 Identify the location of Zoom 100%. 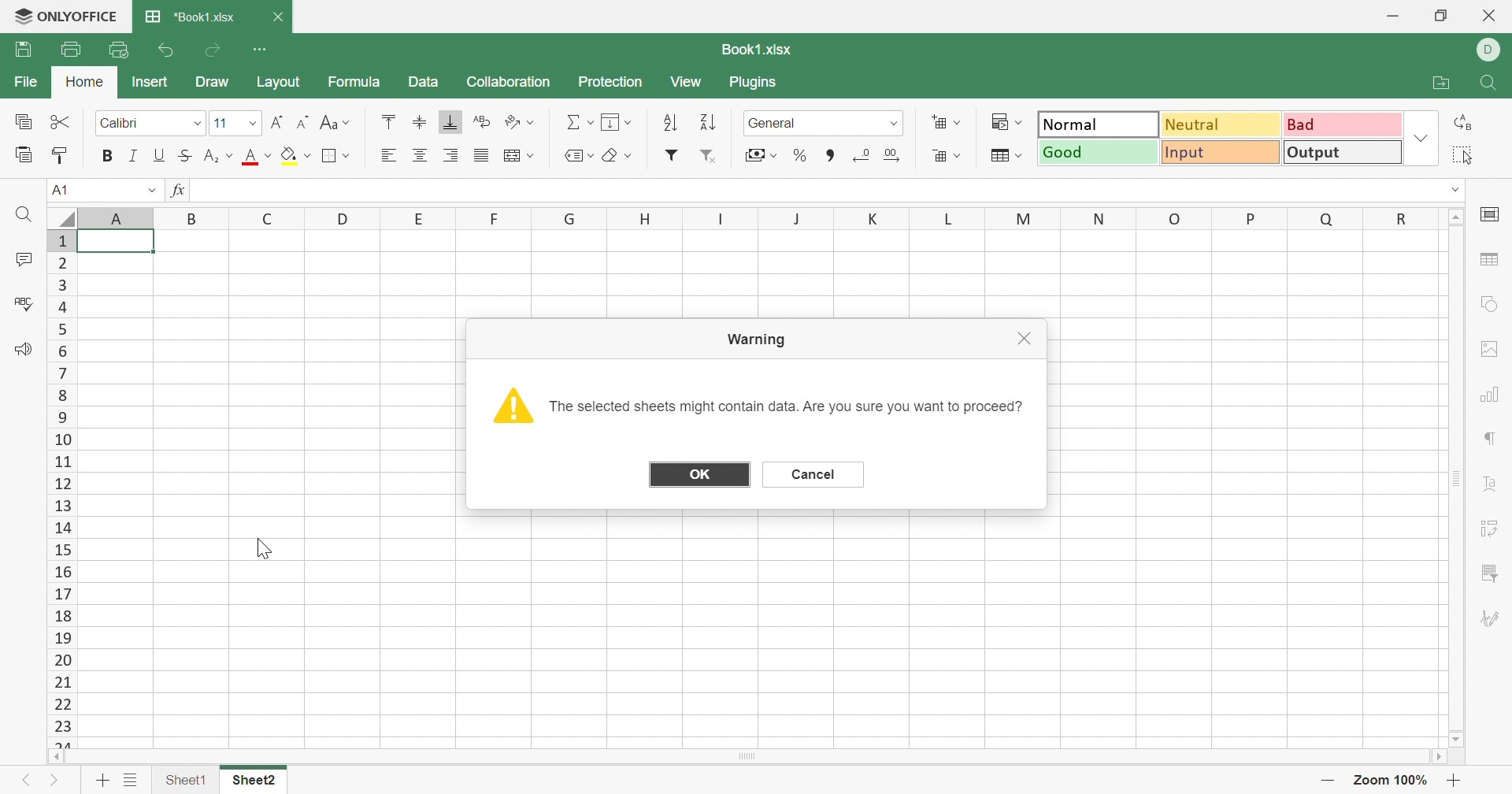
(1393, 780).